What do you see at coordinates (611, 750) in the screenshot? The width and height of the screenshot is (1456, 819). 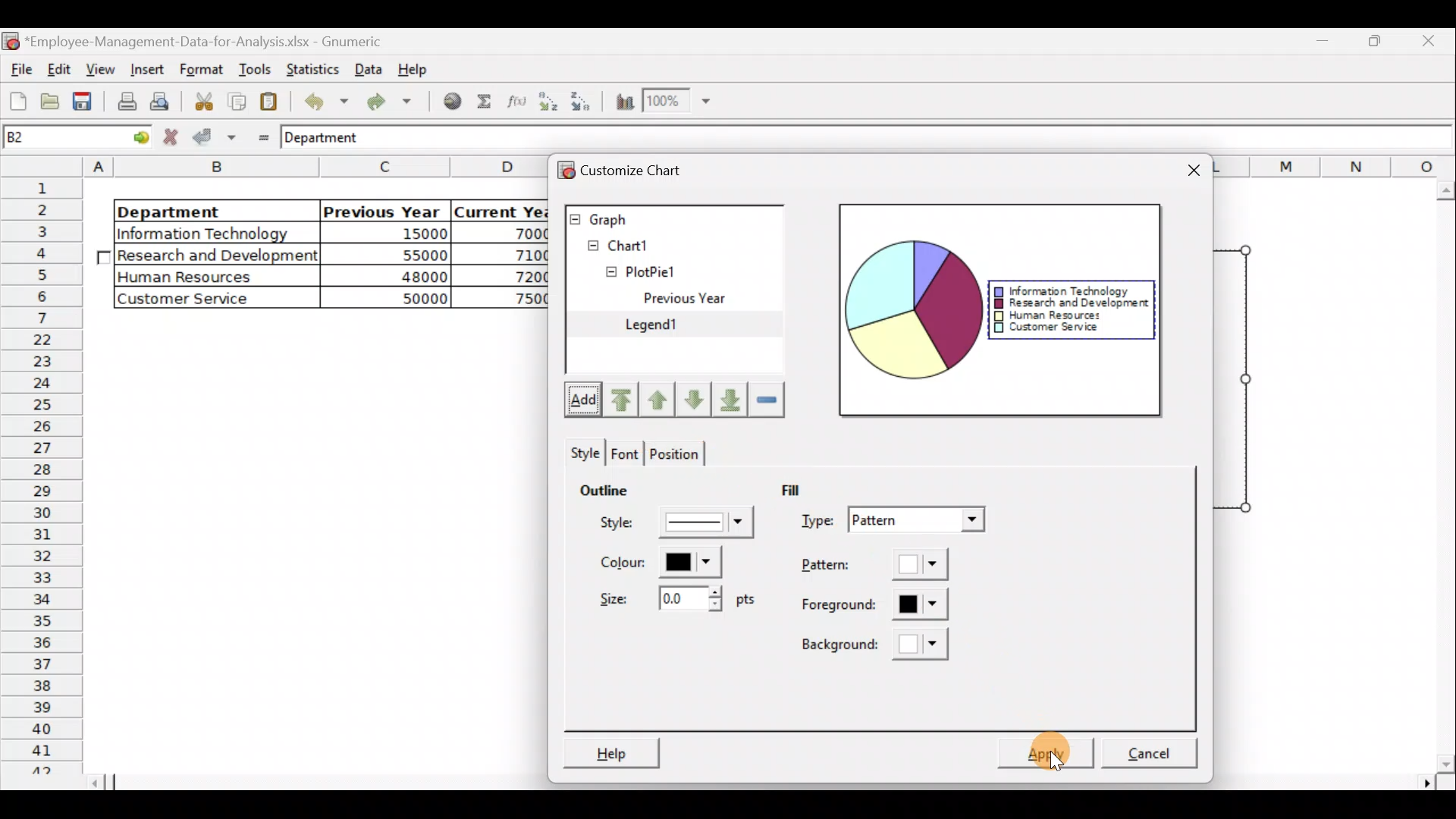 I see `Help` at bounding box center [611, 750].